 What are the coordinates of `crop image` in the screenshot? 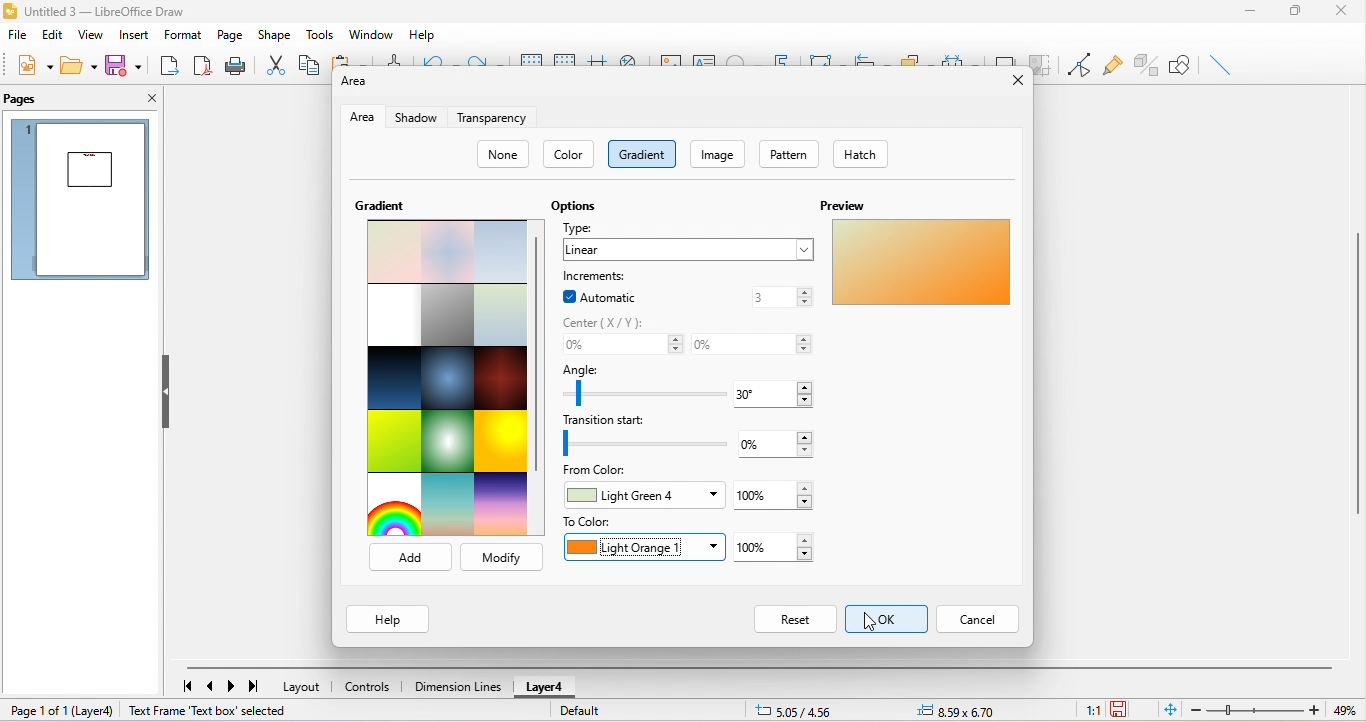 It's located at (1041, 63).